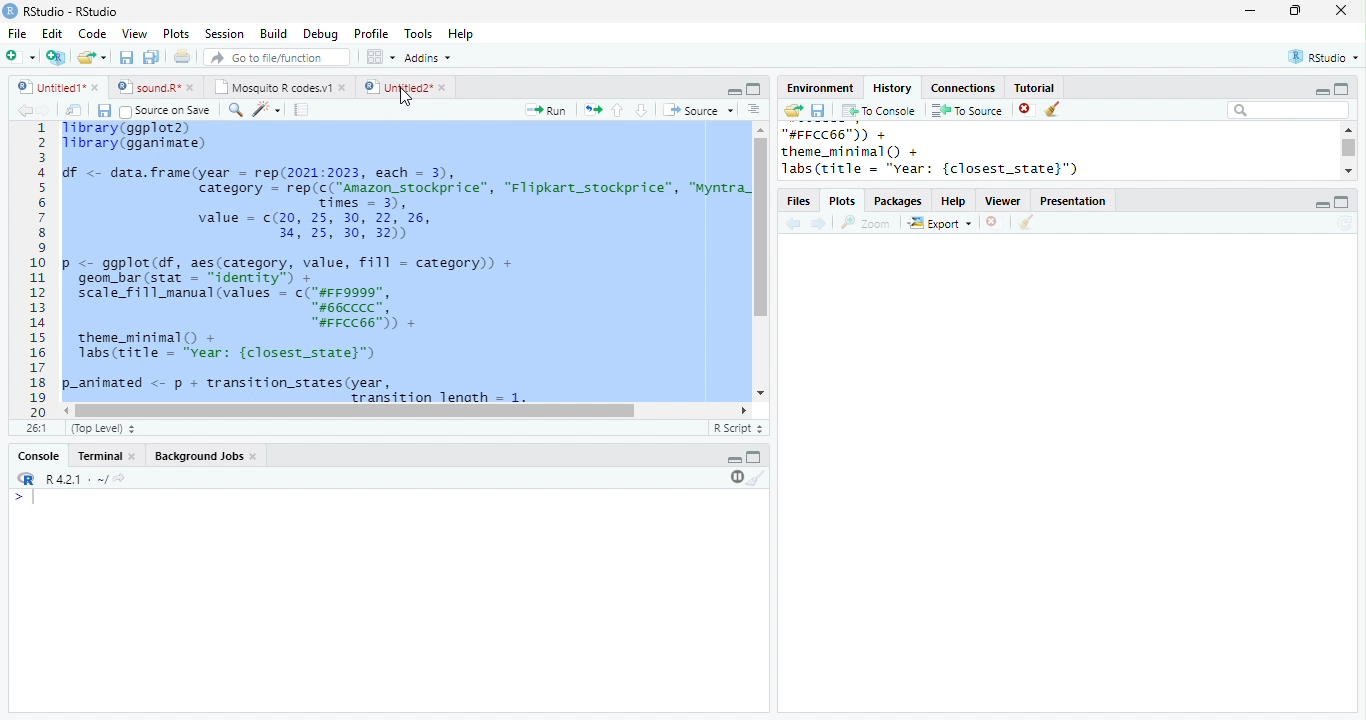  What do you see at coordinates (763, 227) in the screenshot?
I see `scroll bar` at bounding box center [763, 227].